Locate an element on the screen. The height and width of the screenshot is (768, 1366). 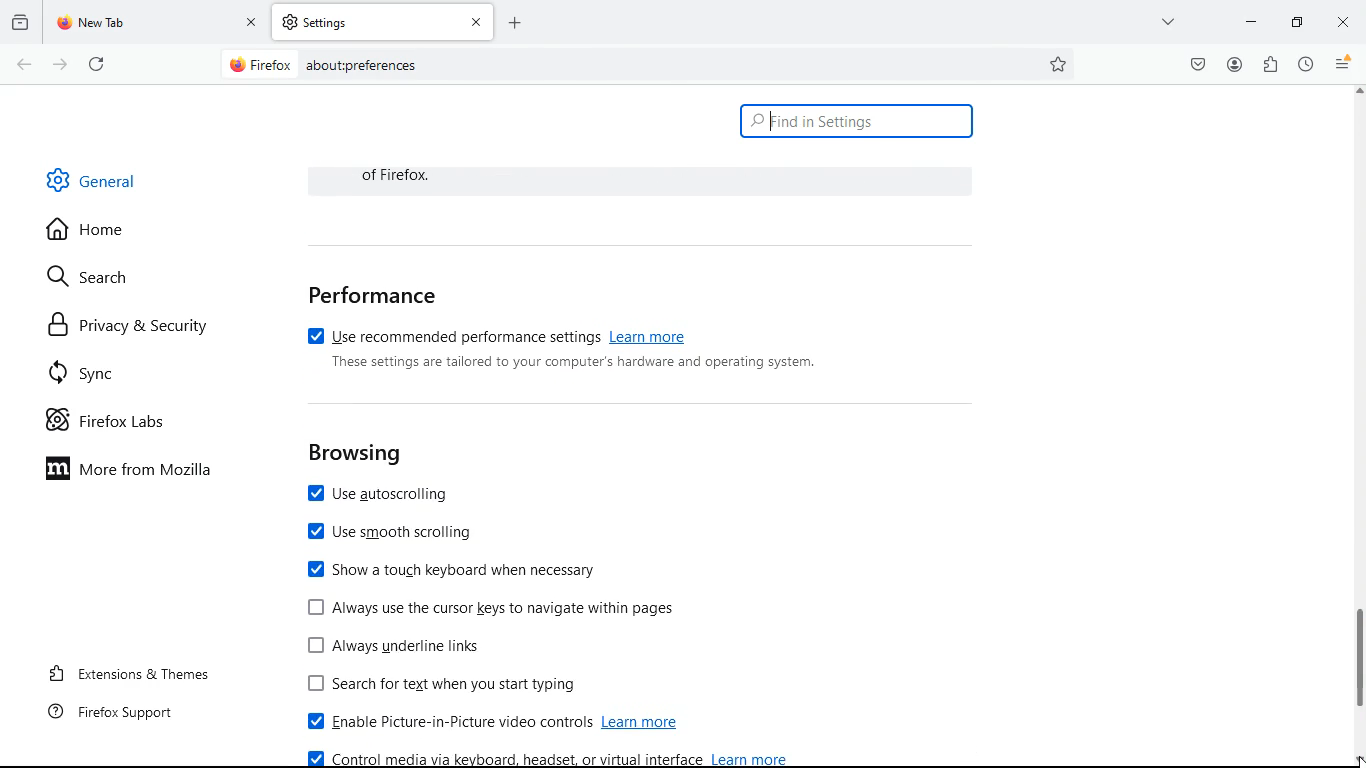
search is located at coordinates (97, 279).